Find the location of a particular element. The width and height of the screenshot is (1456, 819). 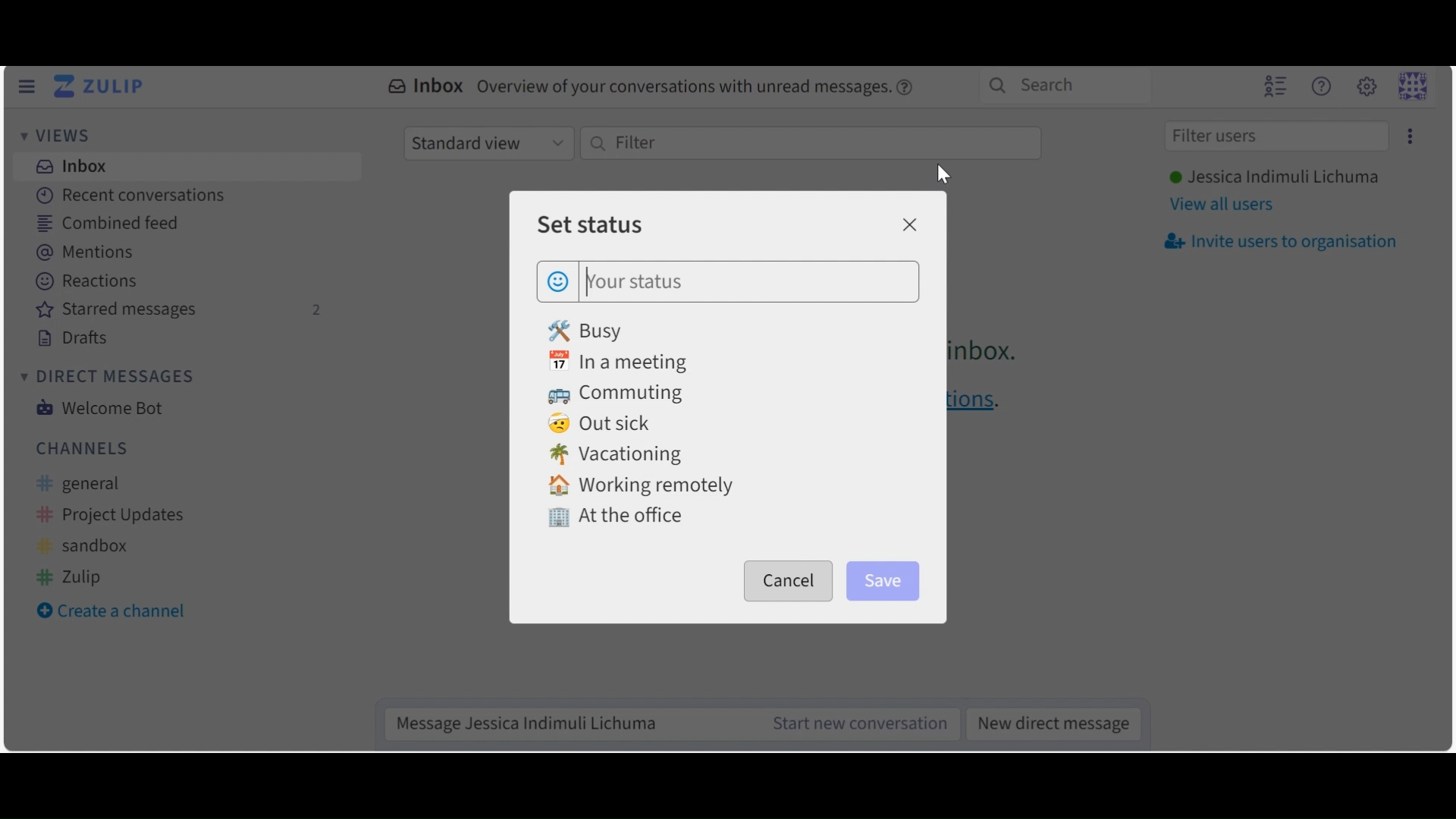

Reply message is located at coordinates (566, 723).